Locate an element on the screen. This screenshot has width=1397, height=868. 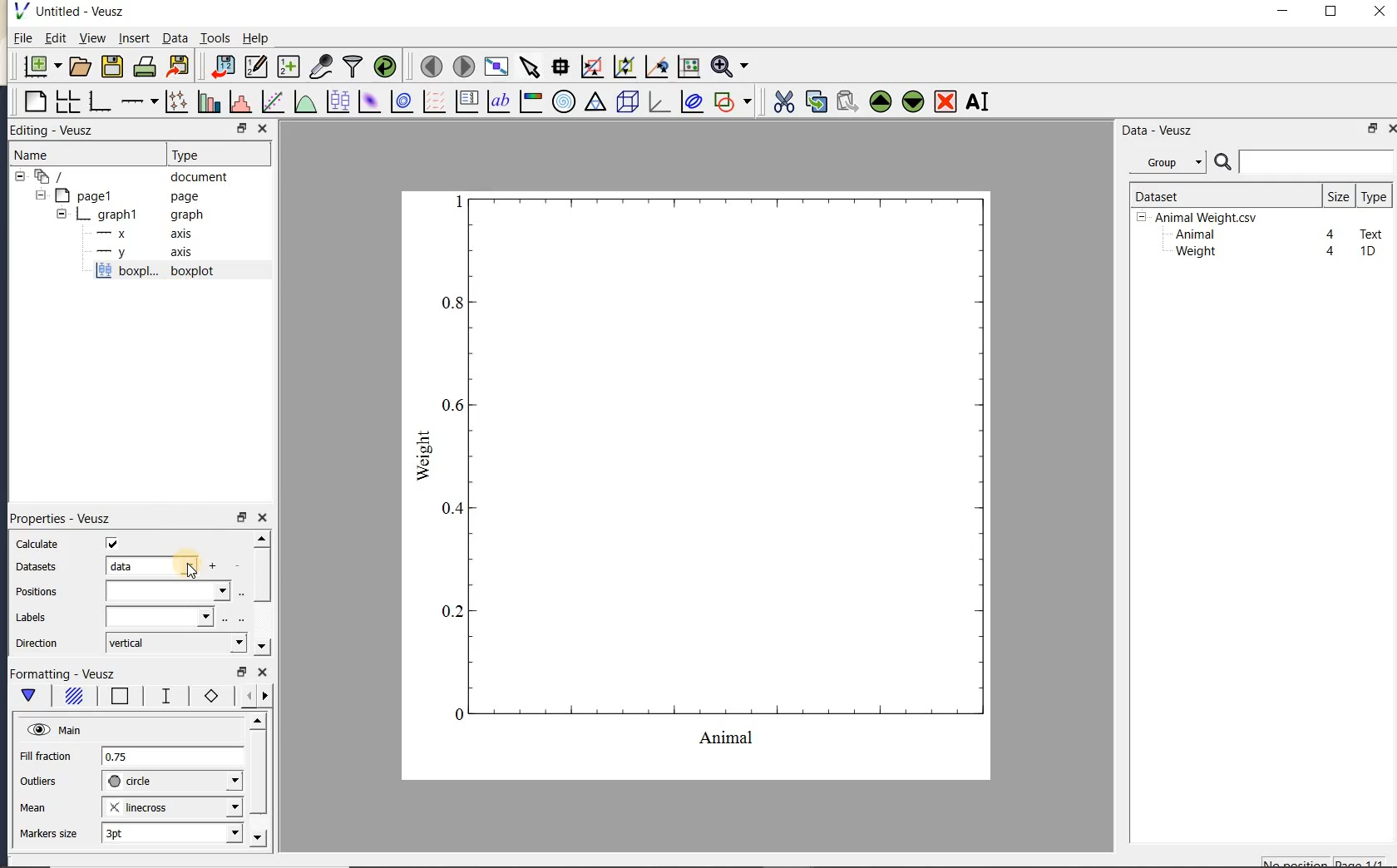
search datasets is located at coordinates (1304, 162).